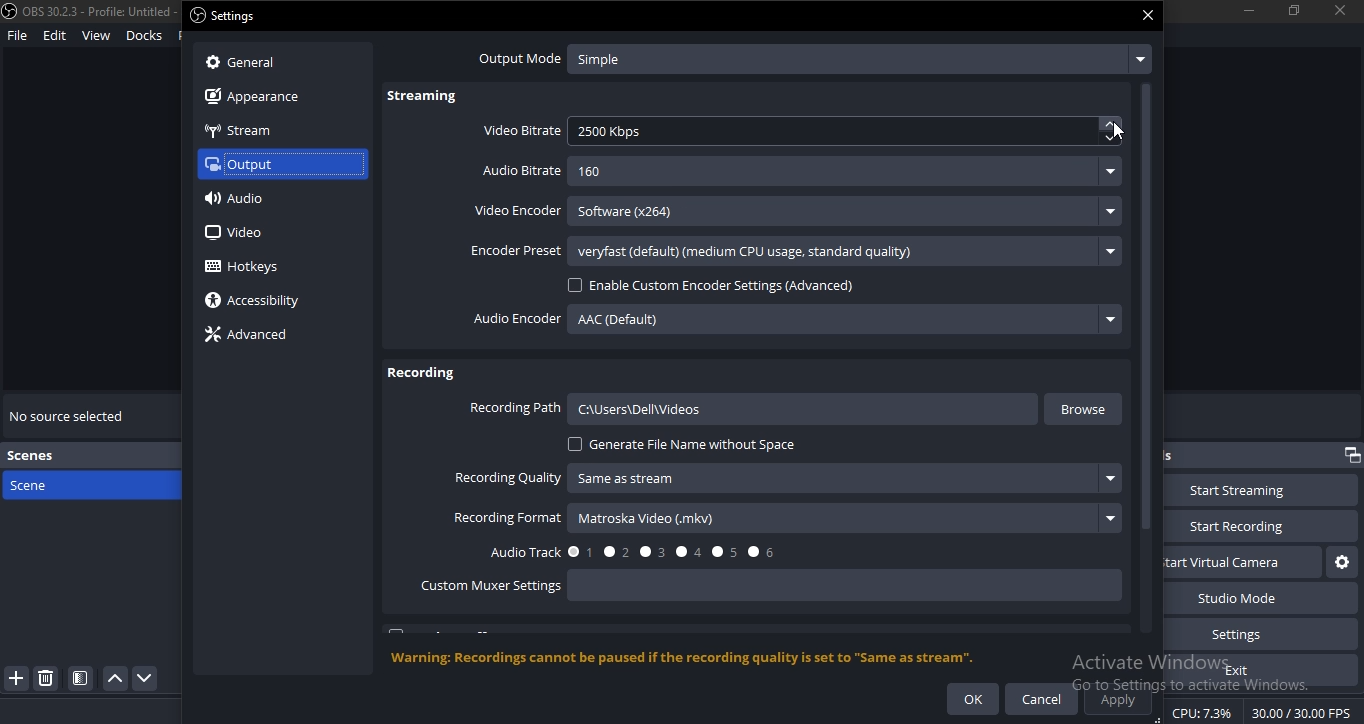 This screenshot has height=724, width=1364. What do you see at coordinates (38, 457) in the screenshot?
I see `scenes` at bounding box center [38, 457].